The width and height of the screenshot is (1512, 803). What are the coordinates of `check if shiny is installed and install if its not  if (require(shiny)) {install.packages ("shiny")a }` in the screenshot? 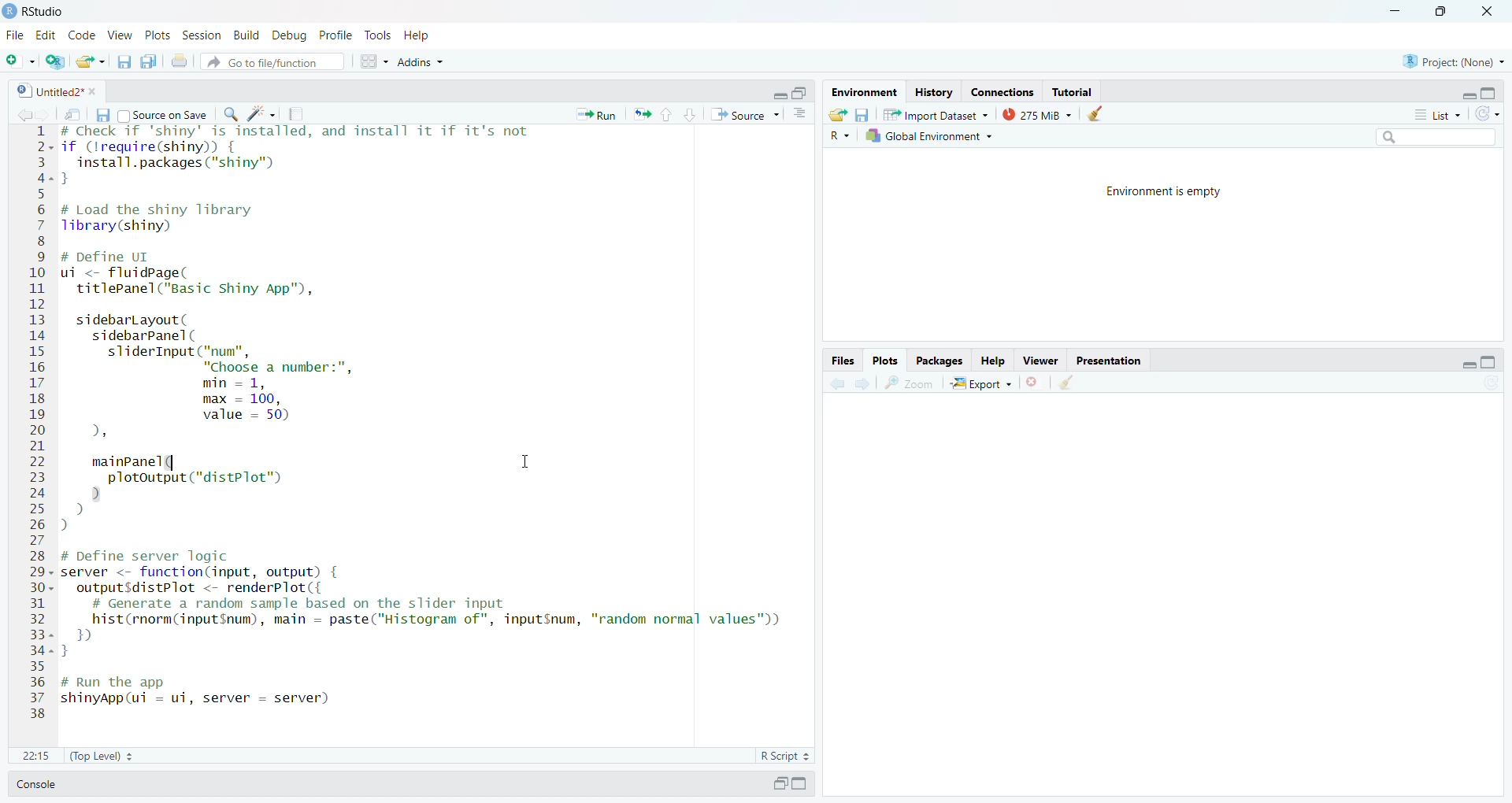 It's located at (295, 155).